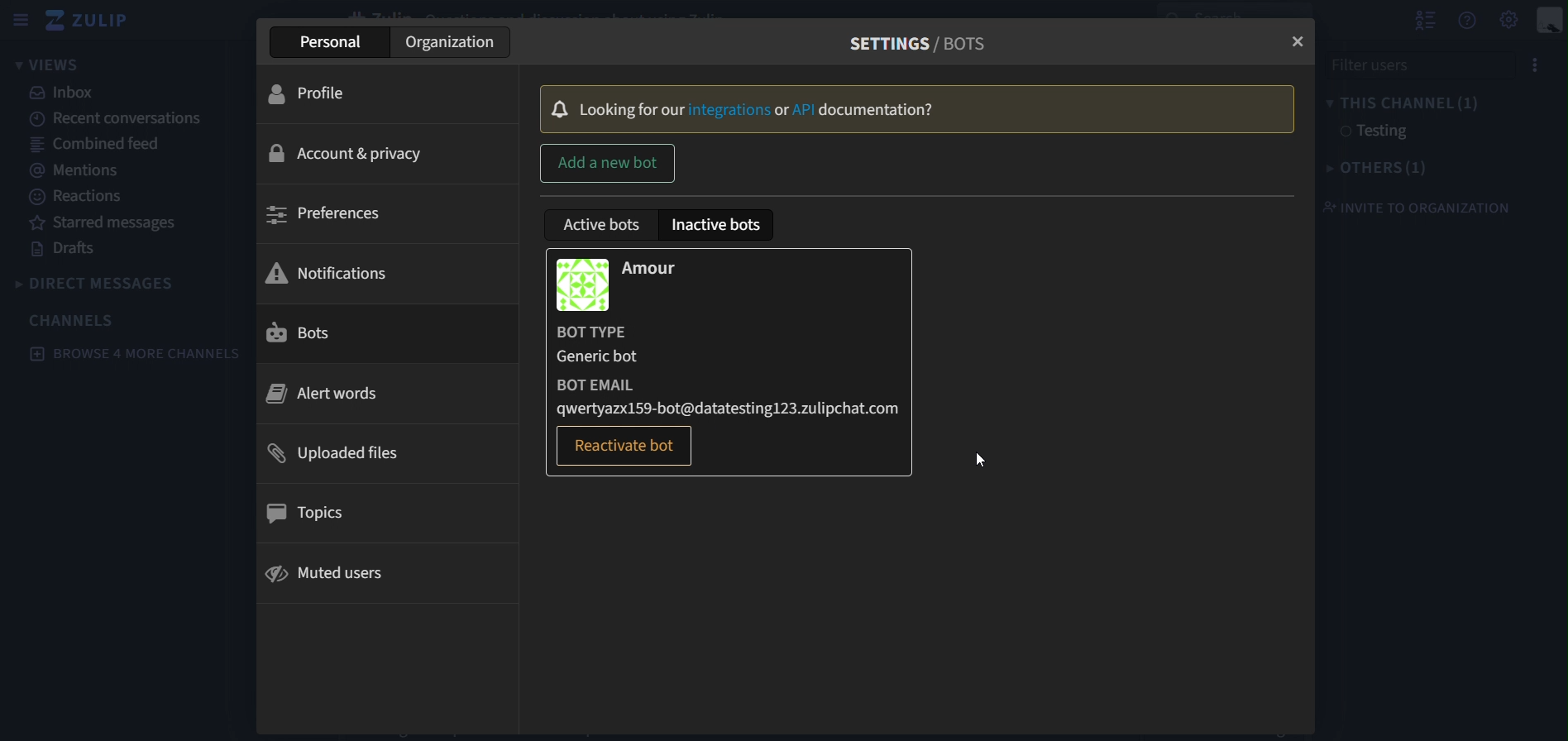 The width and height of the screenshot is (1568, 741). I want to click on Bell Icon, so click(561, 108).